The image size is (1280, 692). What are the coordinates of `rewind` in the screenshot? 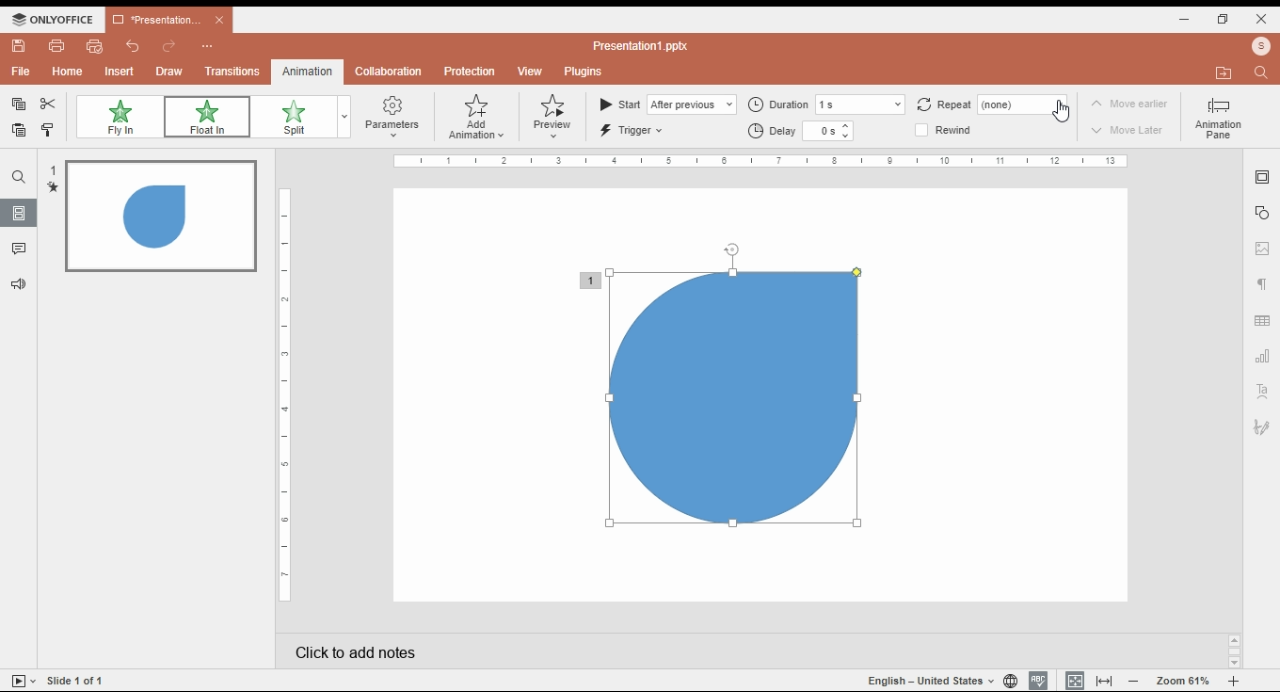 It's located at (952, 131).